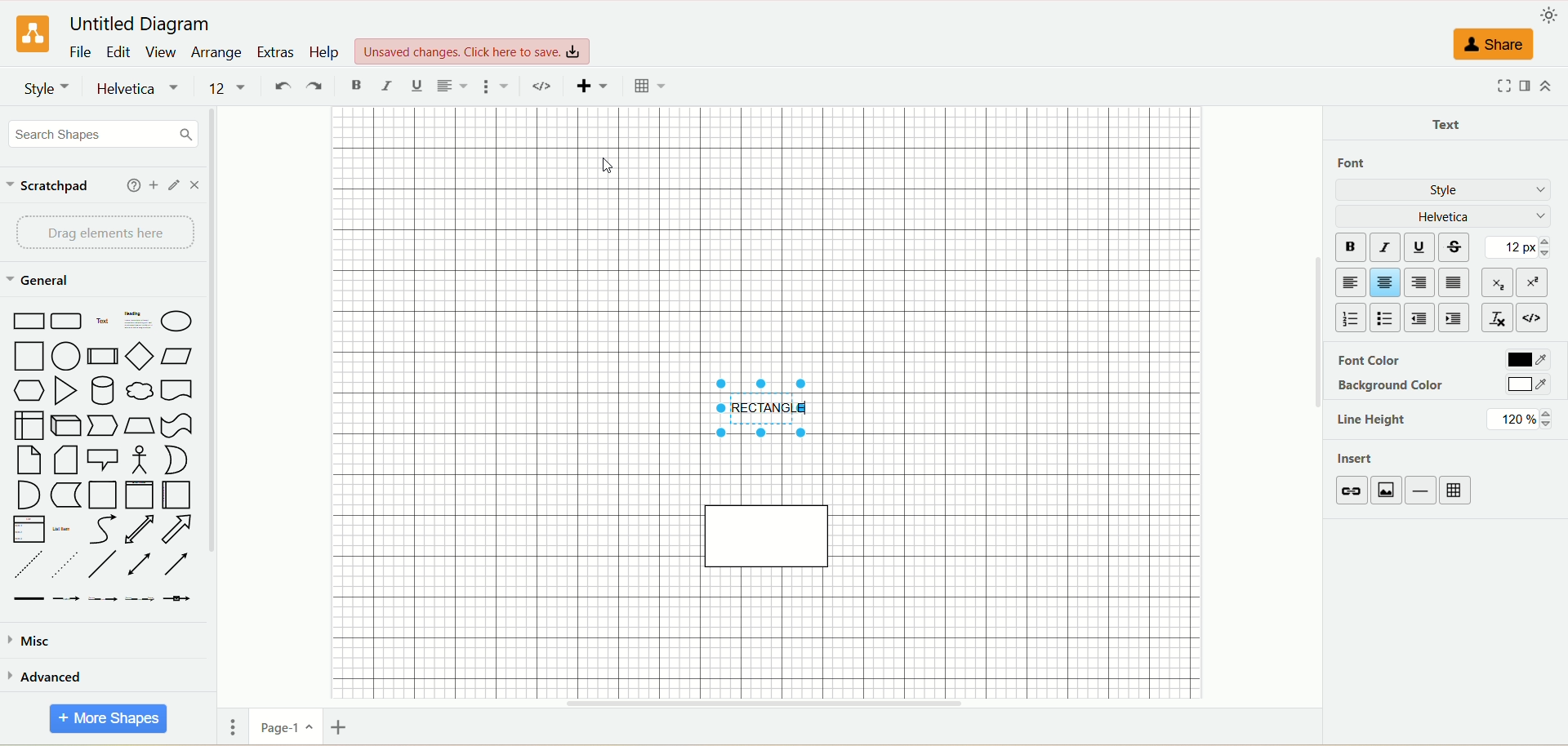 The width and height of the screenshot is (1568, 746). Describe the element at coordinates (120, 51) in the screenshot. I see `edit` at that location.